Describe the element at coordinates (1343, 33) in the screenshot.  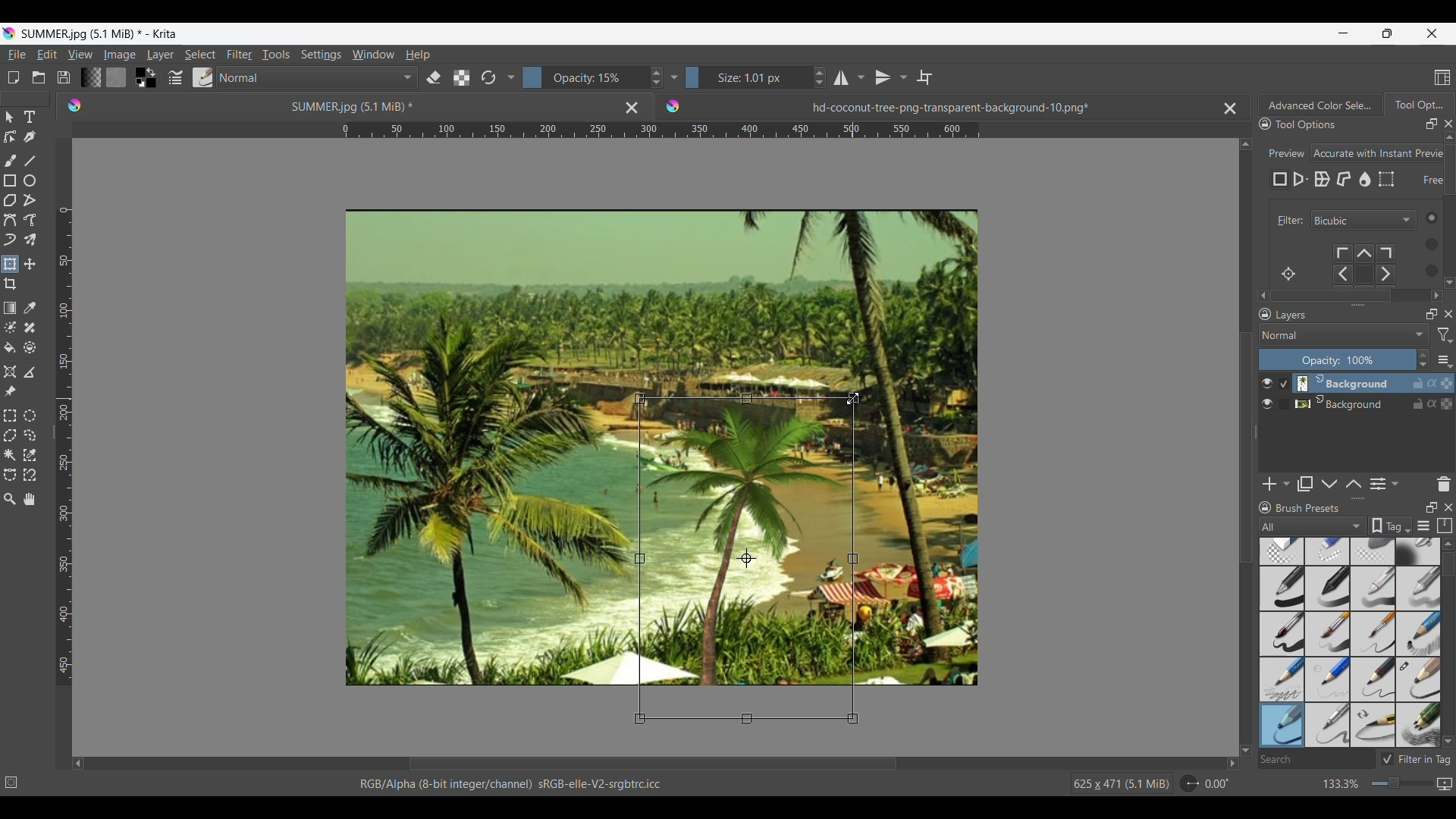
I see `Minimize` at that location.